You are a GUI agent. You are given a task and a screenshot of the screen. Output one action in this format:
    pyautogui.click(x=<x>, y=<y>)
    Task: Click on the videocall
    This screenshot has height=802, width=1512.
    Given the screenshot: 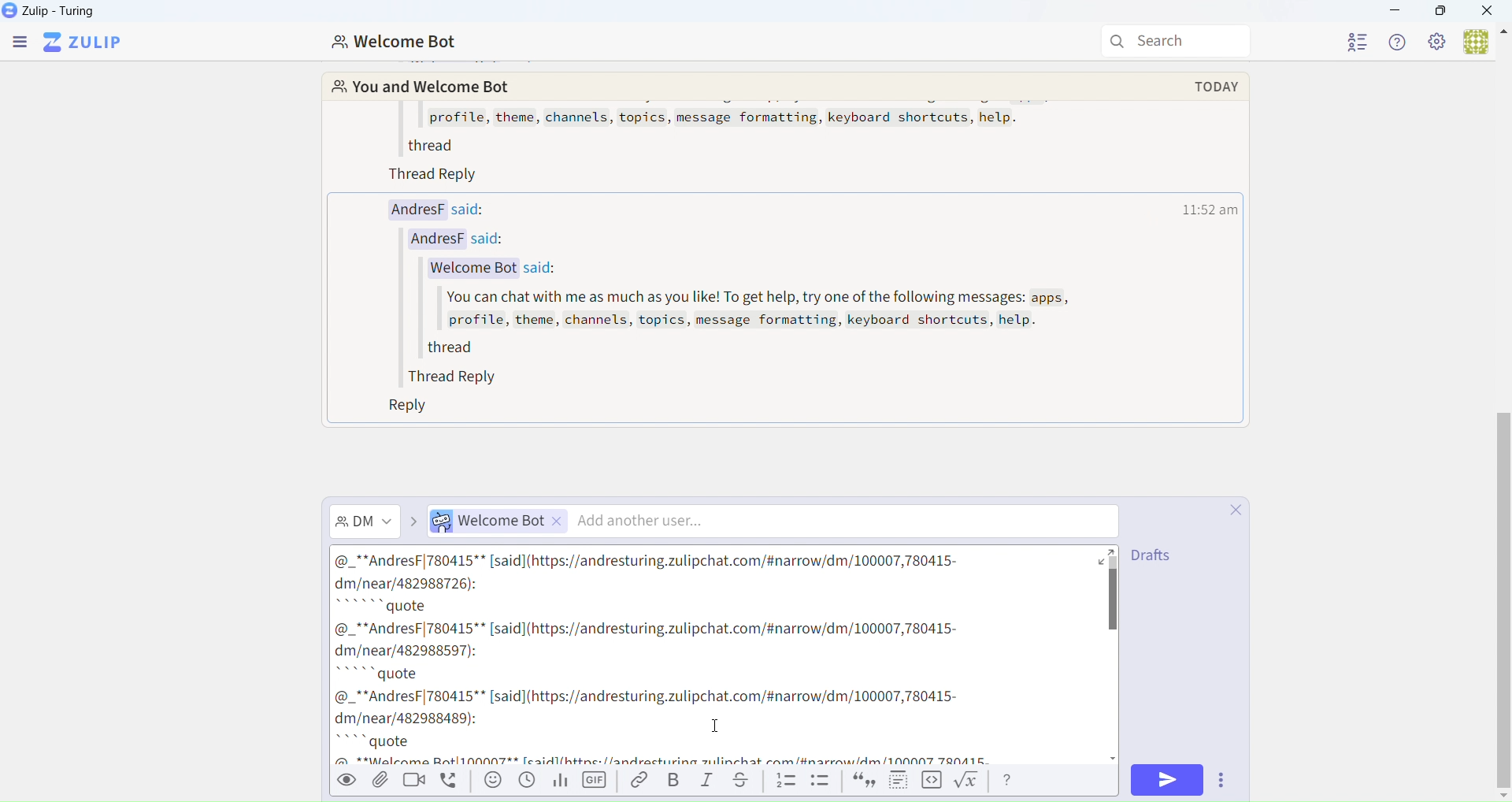 What is the action you would take?
    pyautogui.click(x=417, y=784)
    